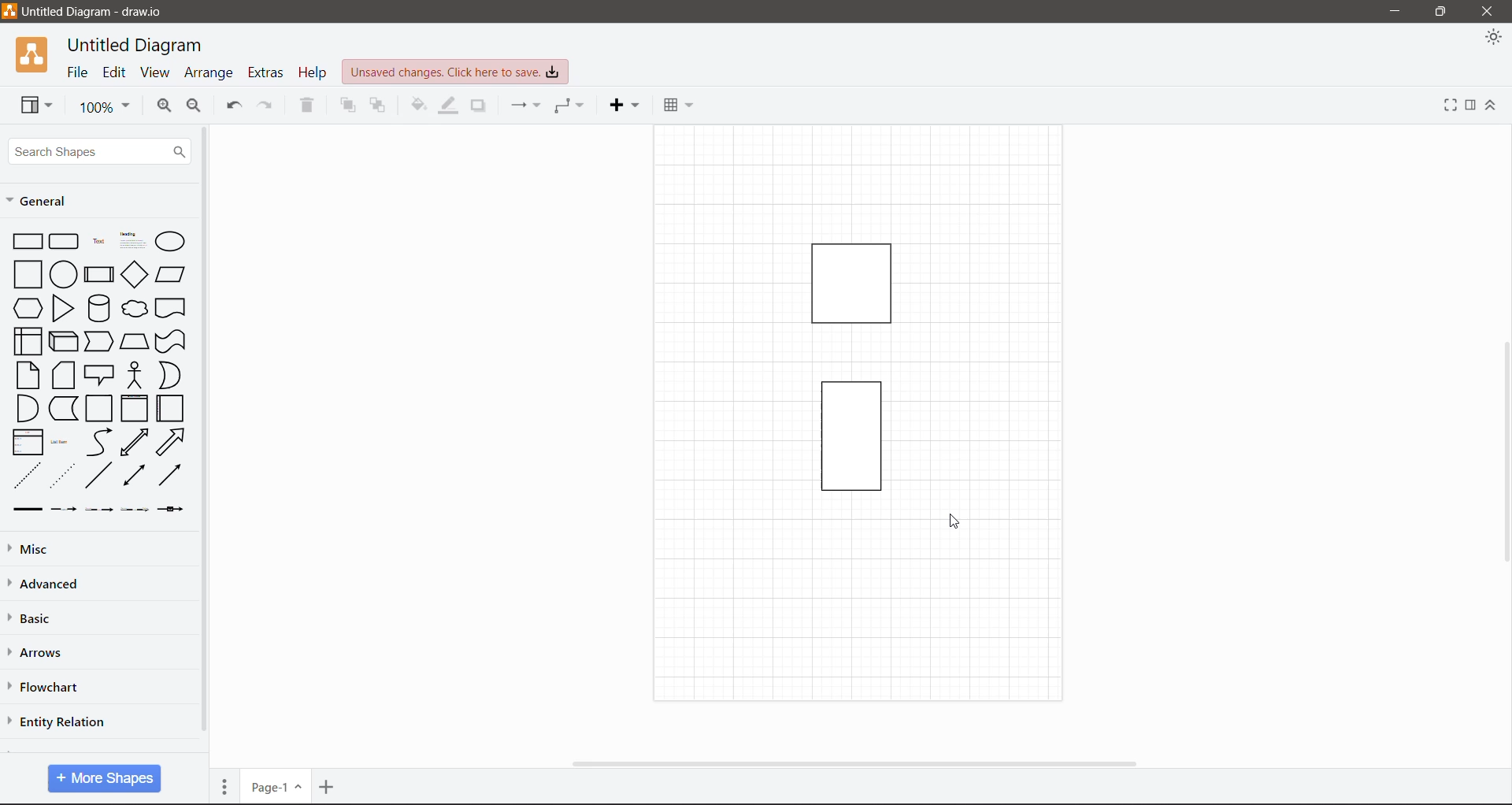 Image resolution: width=1512 pixels, height=805 pixels. I want to click on View, so click(154, 72).